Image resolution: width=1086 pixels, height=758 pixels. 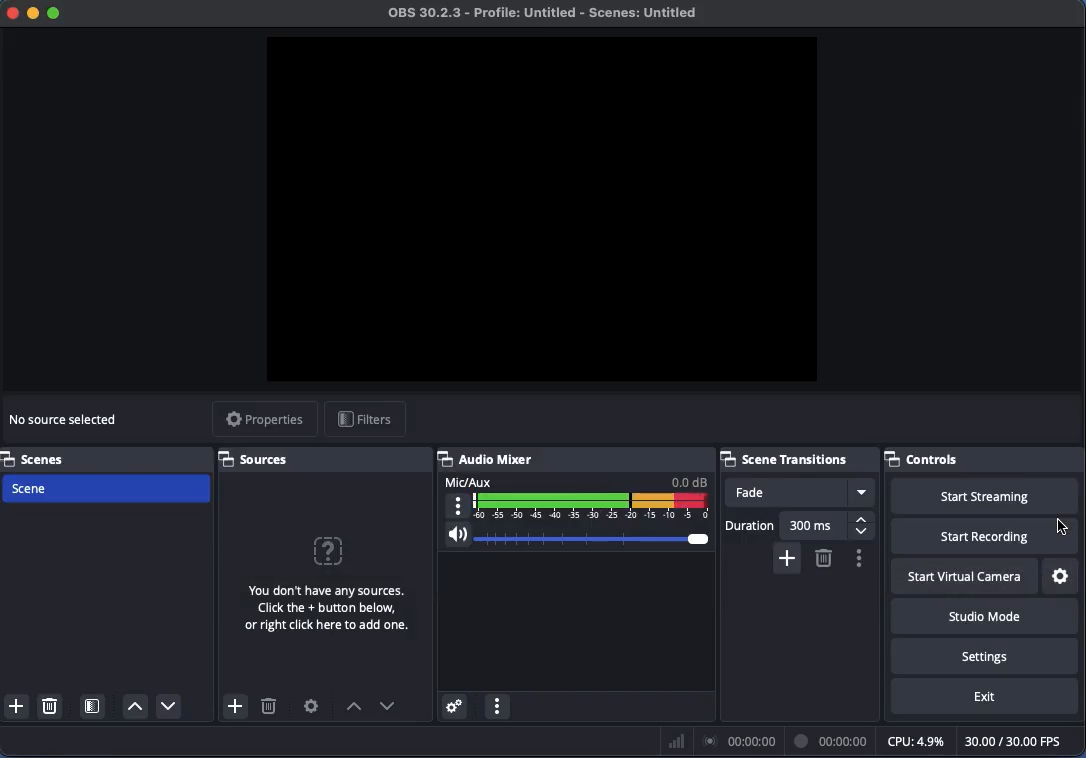 I want to click on Fade, so click(x=800, y=492).